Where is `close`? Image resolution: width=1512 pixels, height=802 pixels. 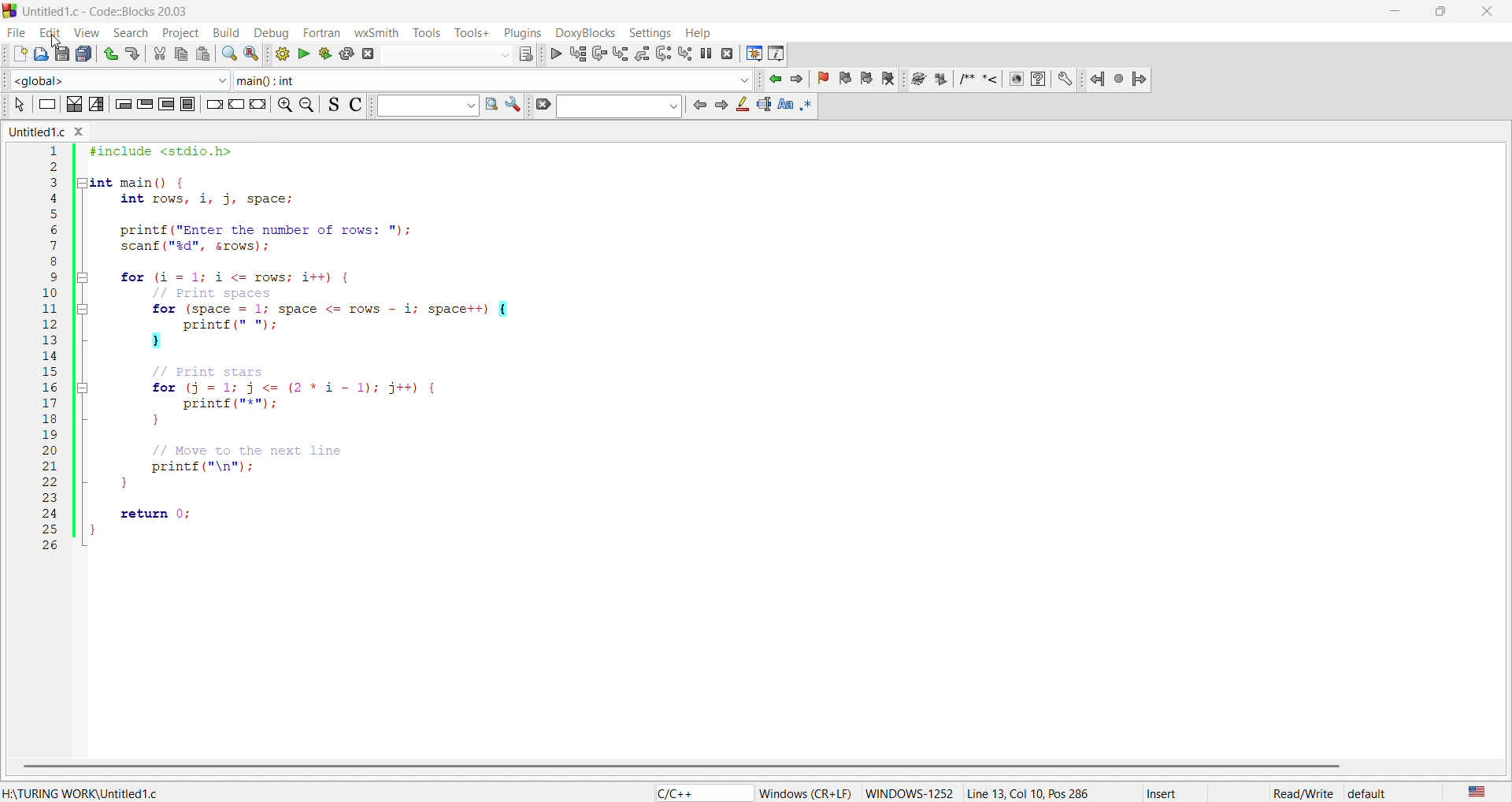
close is located at coordinates (1487, 12).